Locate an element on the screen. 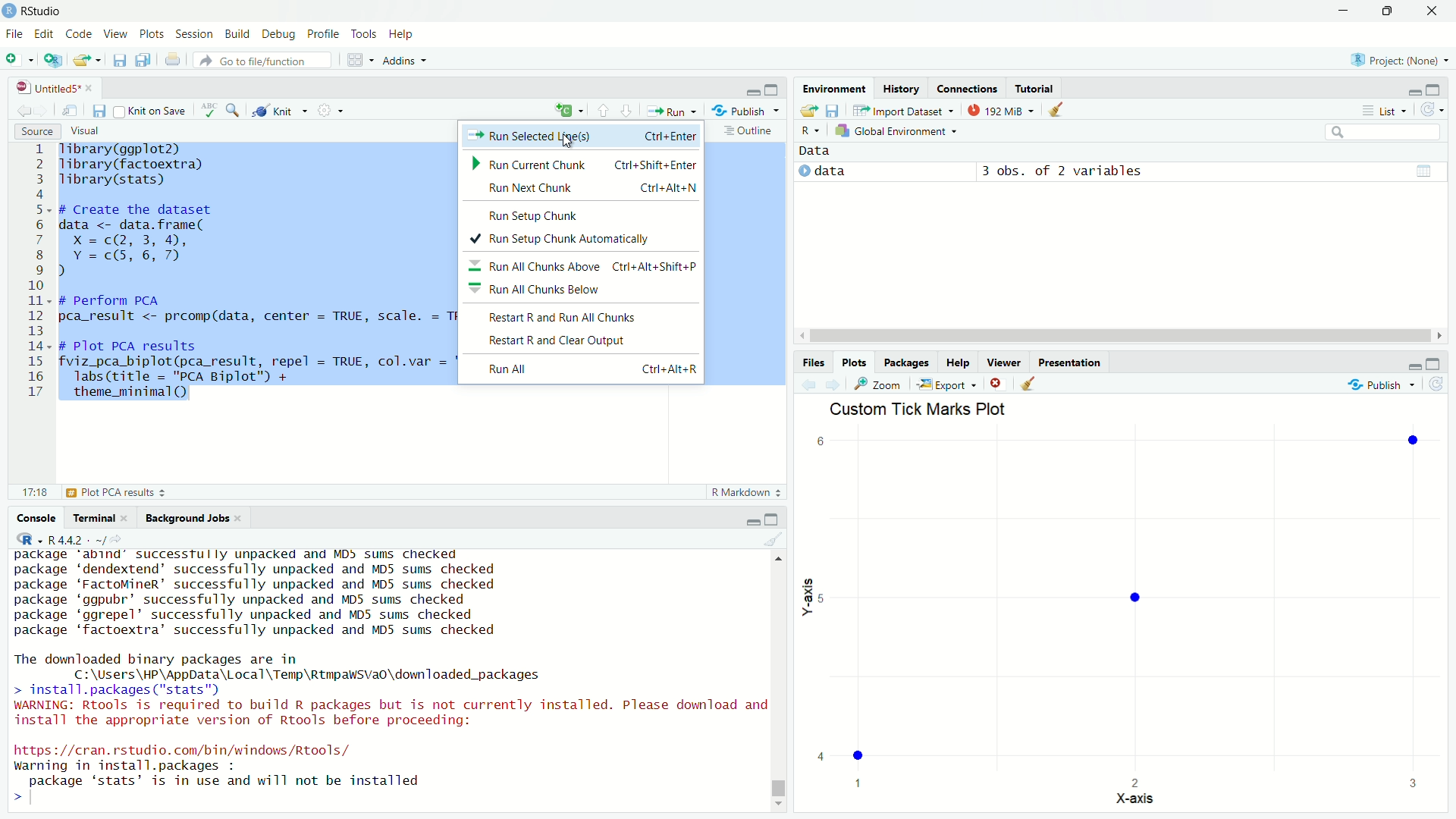 Image resolution: width=1456 pixels, height=819 pixels. Run selected lines is located at coordinates (584, 136).